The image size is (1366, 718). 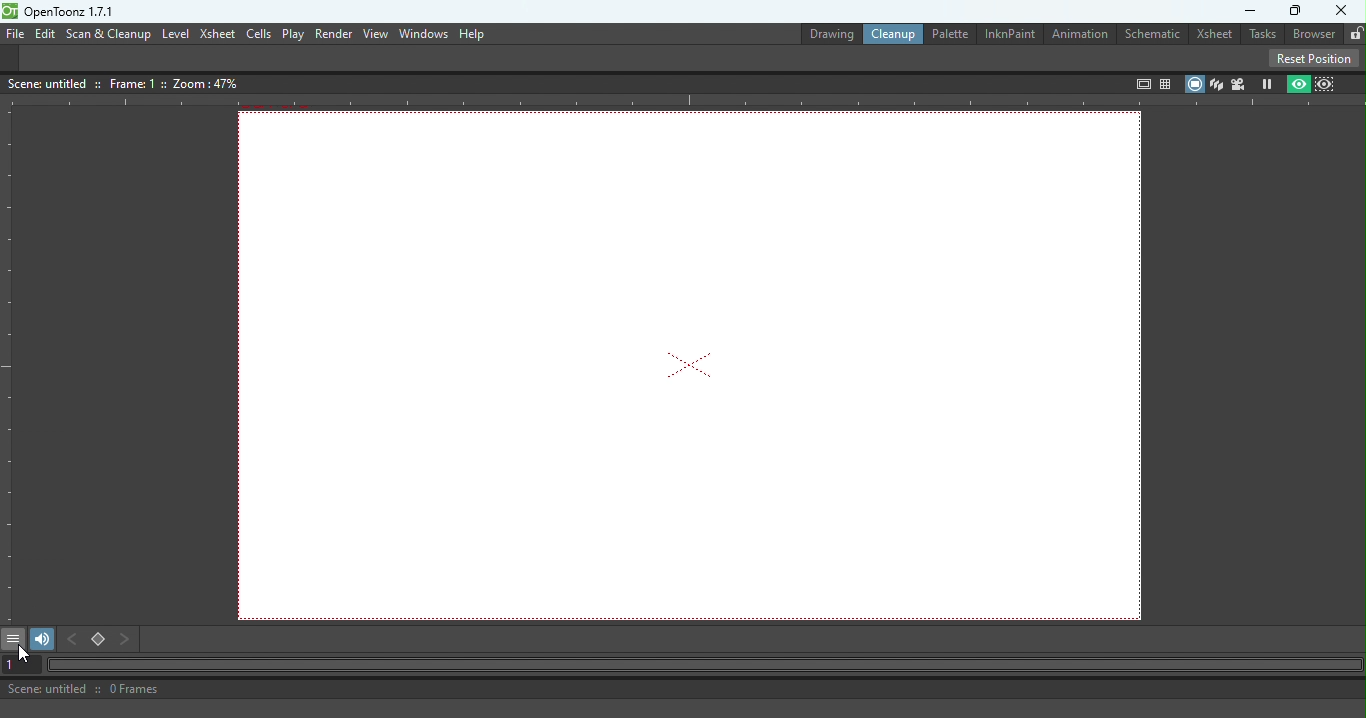 What do you see at coordinates (1214, 34) in the screenshot?
I see `Xsheet` at bounding box center [1214, 34].